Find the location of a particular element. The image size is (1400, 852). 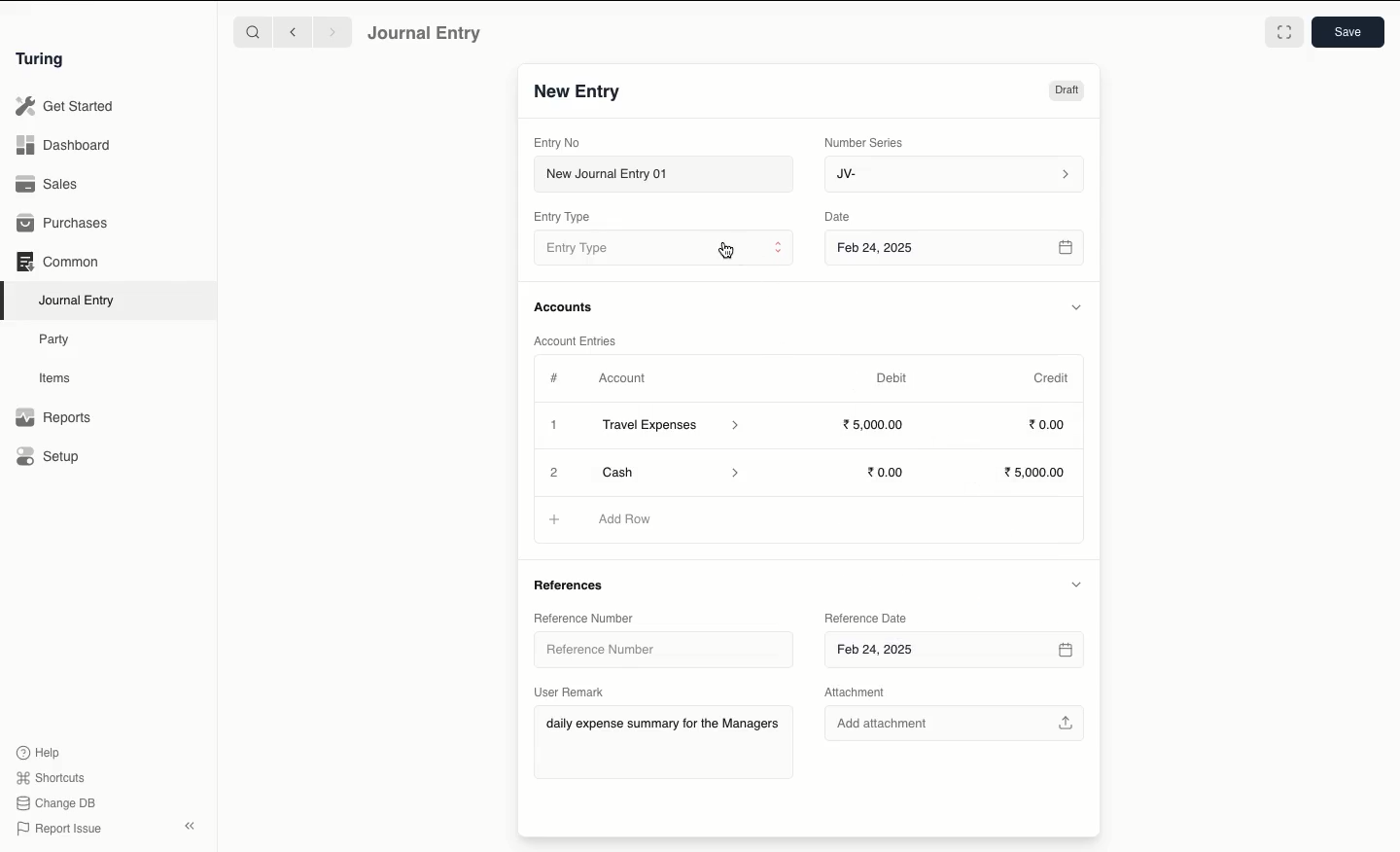

Add is located at coordinates (555, 426).